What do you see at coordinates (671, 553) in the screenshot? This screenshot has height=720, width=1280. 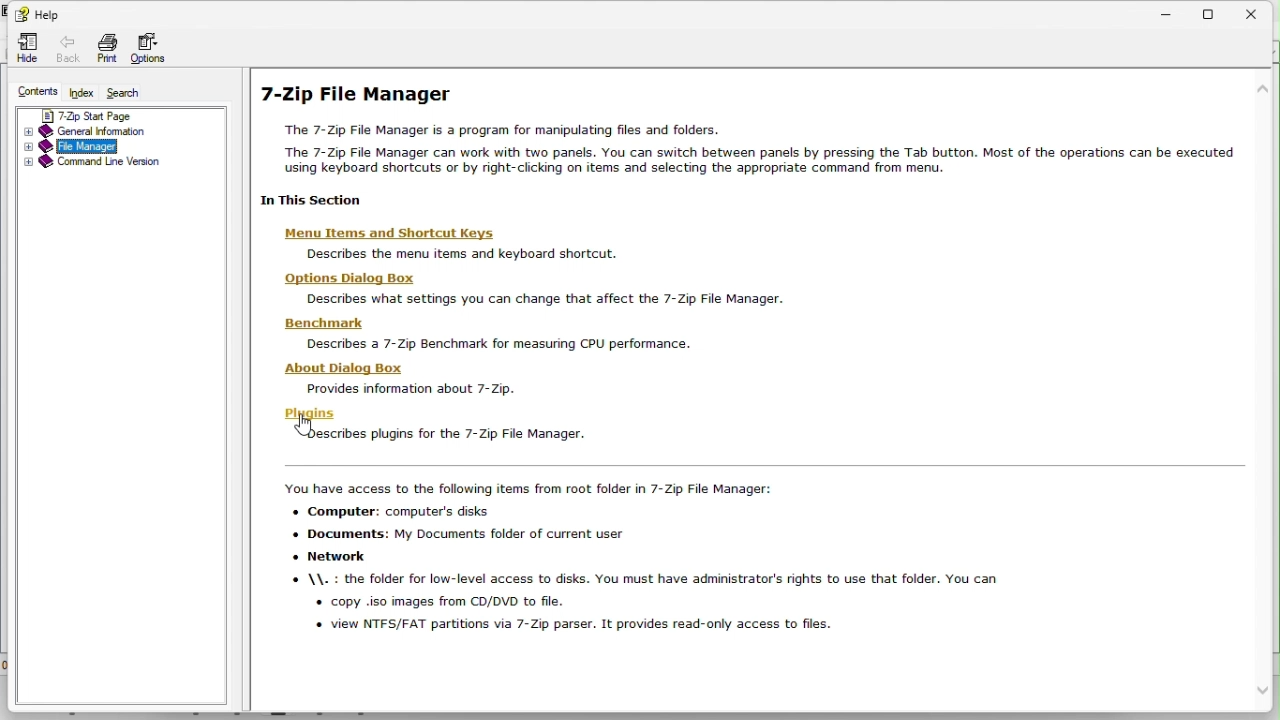 I see `text` at bounding box center [671, 553].